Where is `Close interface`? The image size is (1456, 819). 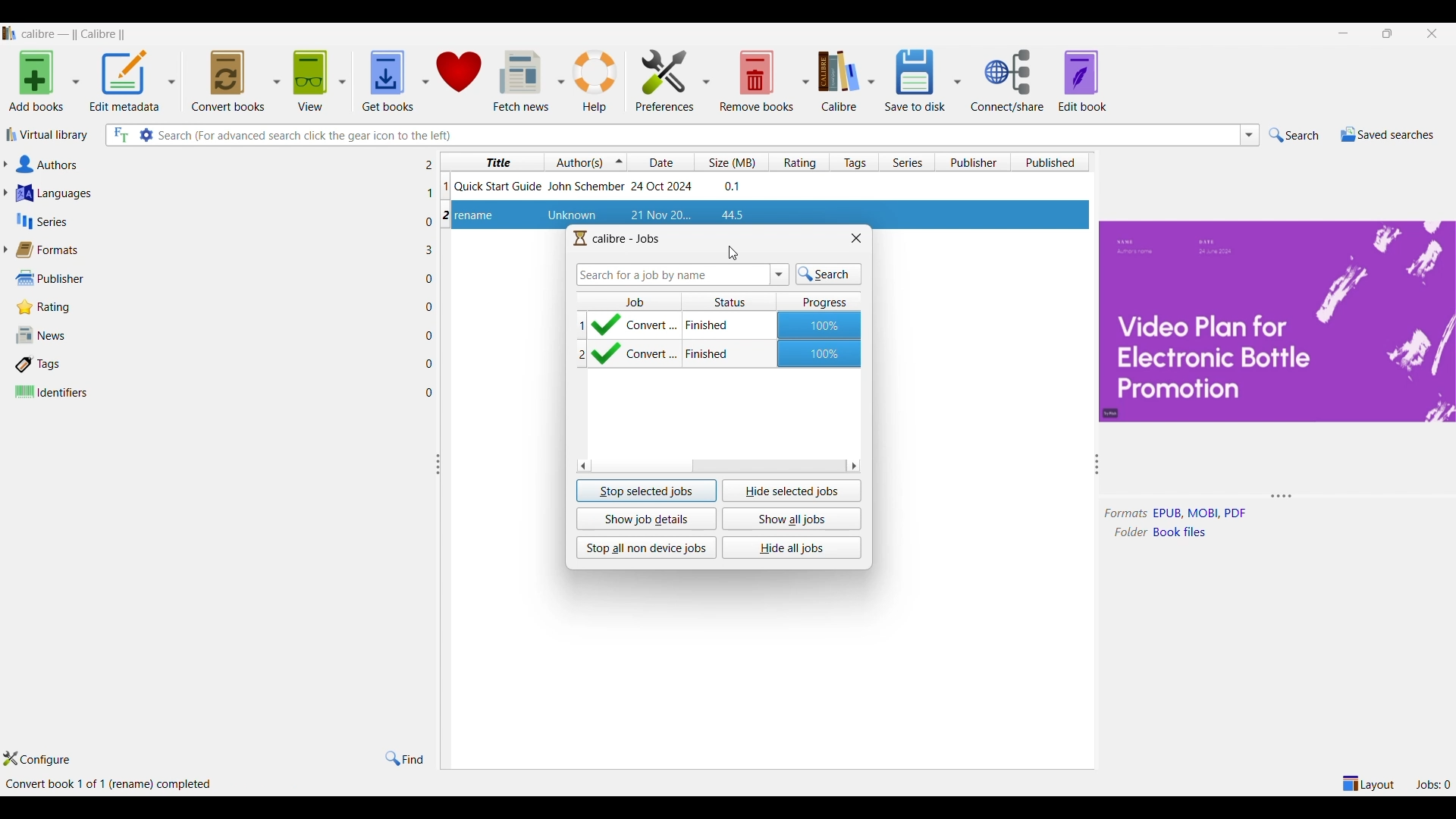 Close interface is located at coordinates (1432, 33).